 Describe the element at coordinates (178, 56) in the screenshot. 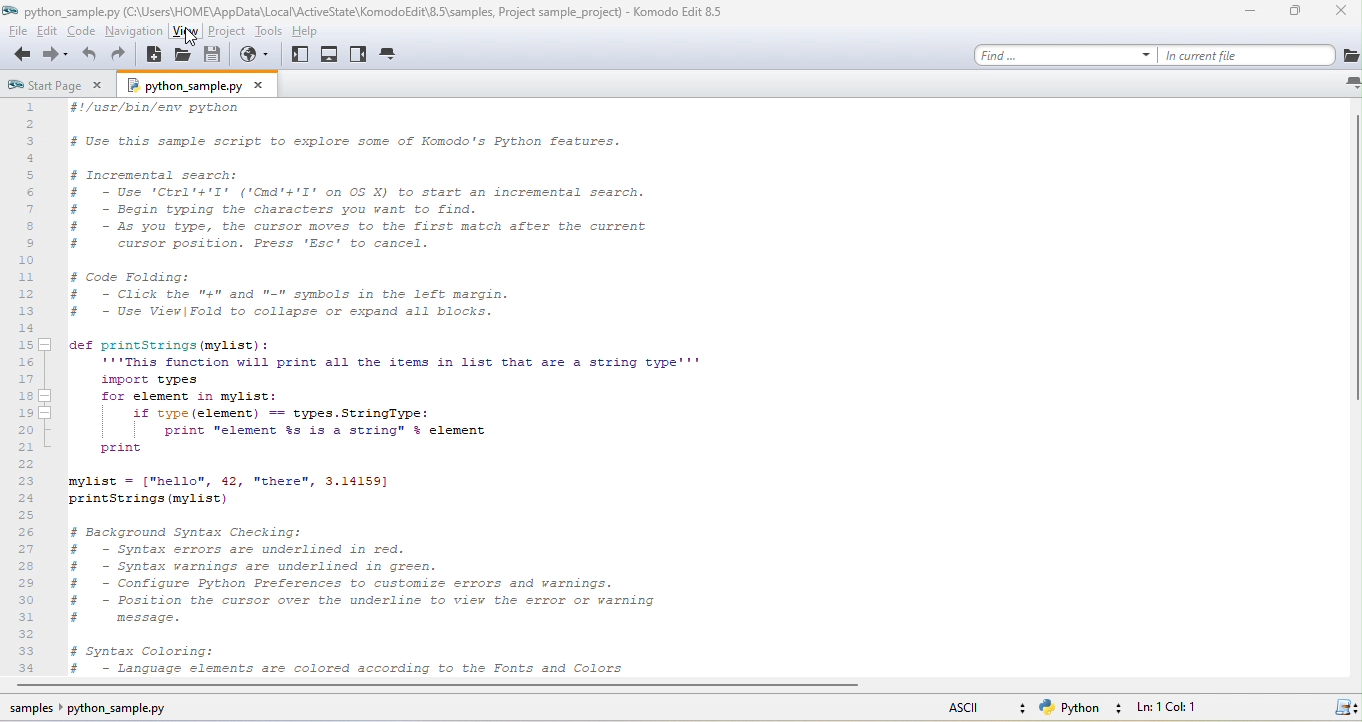

I see `open` at that location.